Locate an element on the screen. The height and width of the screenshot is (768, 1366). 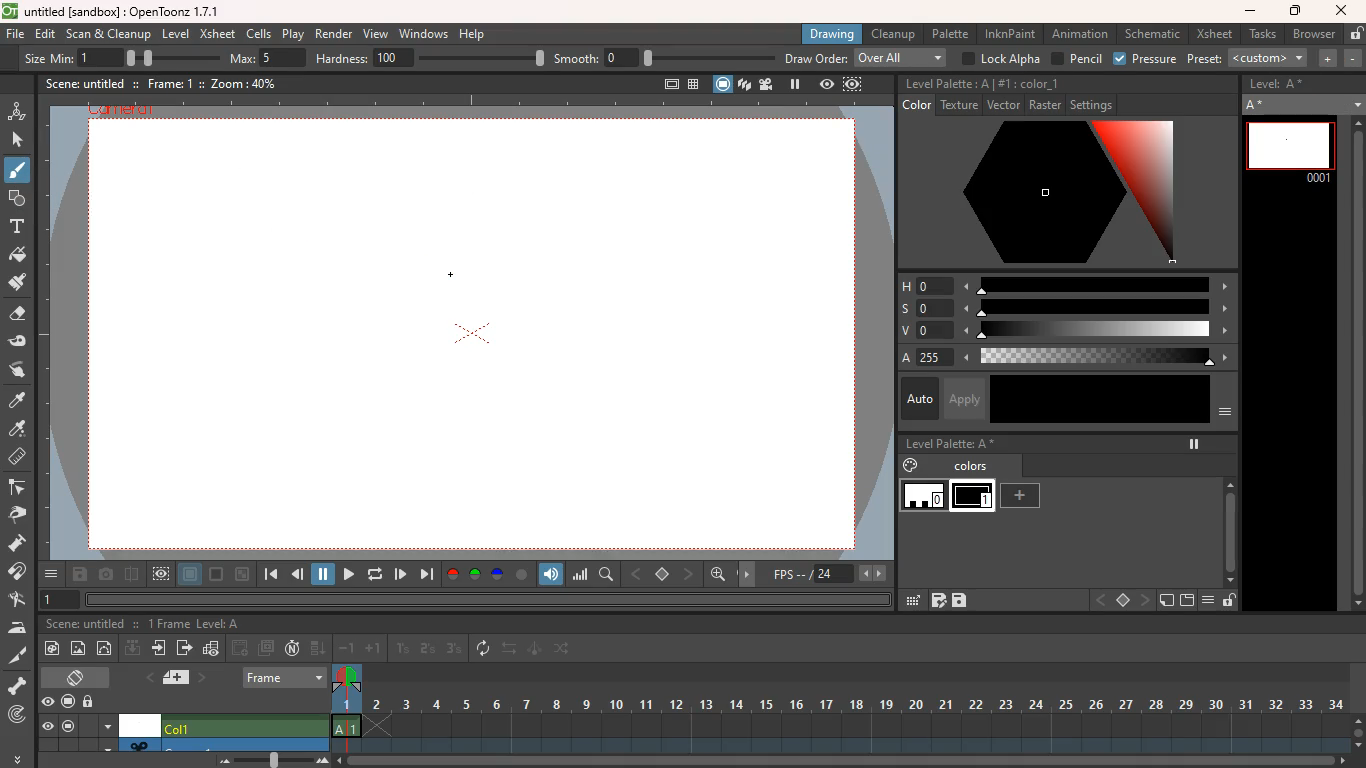
menu is located at coordinates (1224, 416).